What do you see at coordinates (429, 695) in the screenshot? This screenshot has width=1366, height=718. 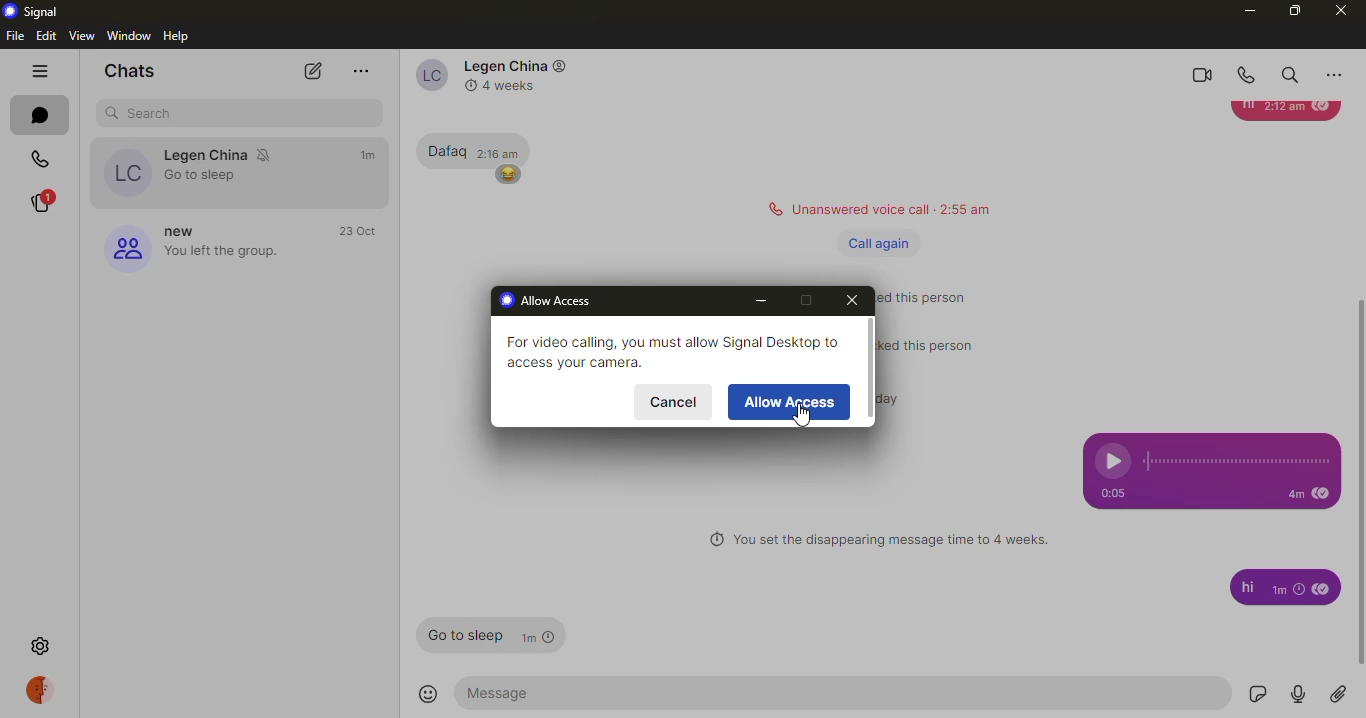 I see `emoji` at bounding box center [429, 695].